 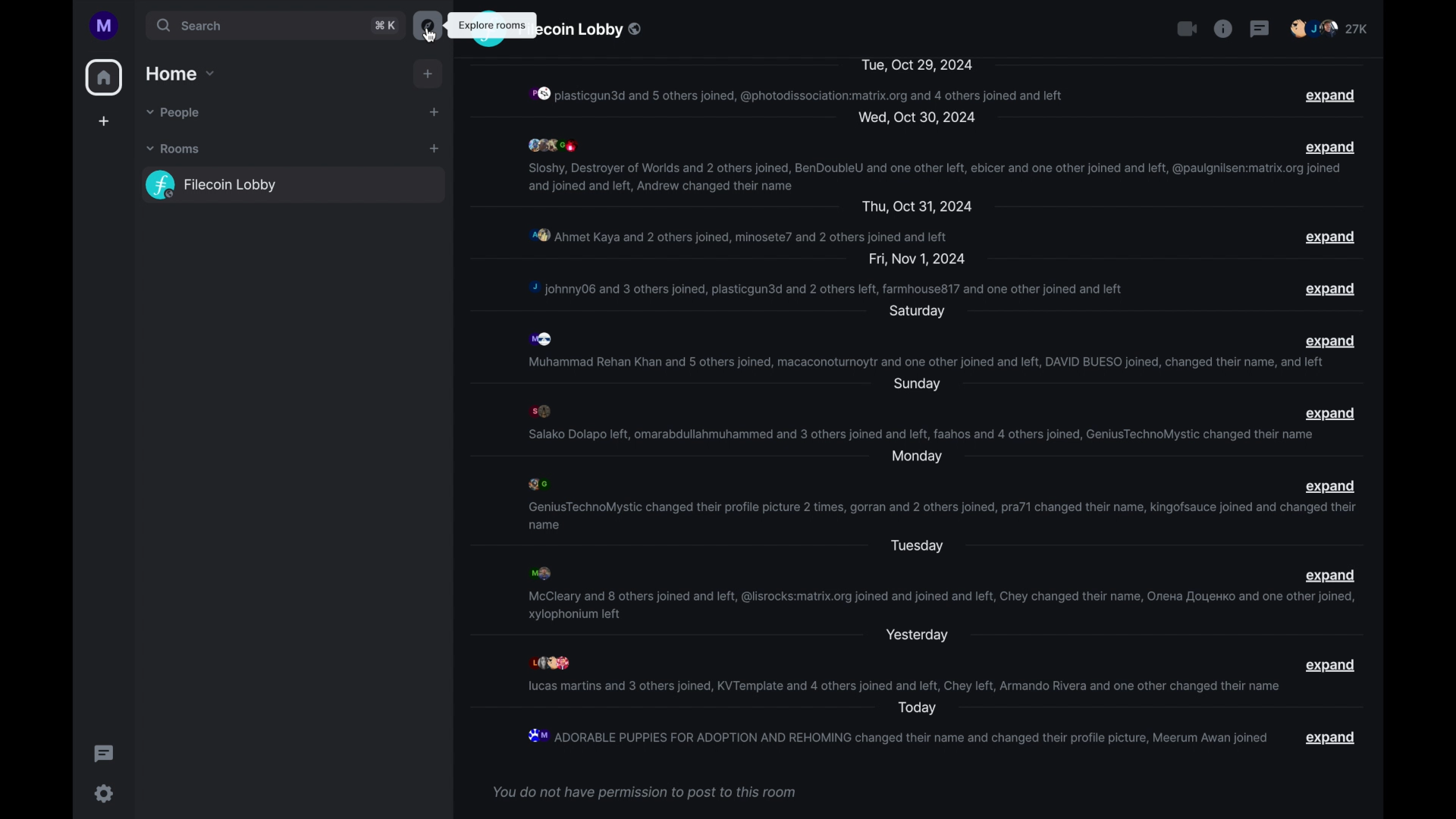 I want to click on search shortcut, so click(x=384, y=26).